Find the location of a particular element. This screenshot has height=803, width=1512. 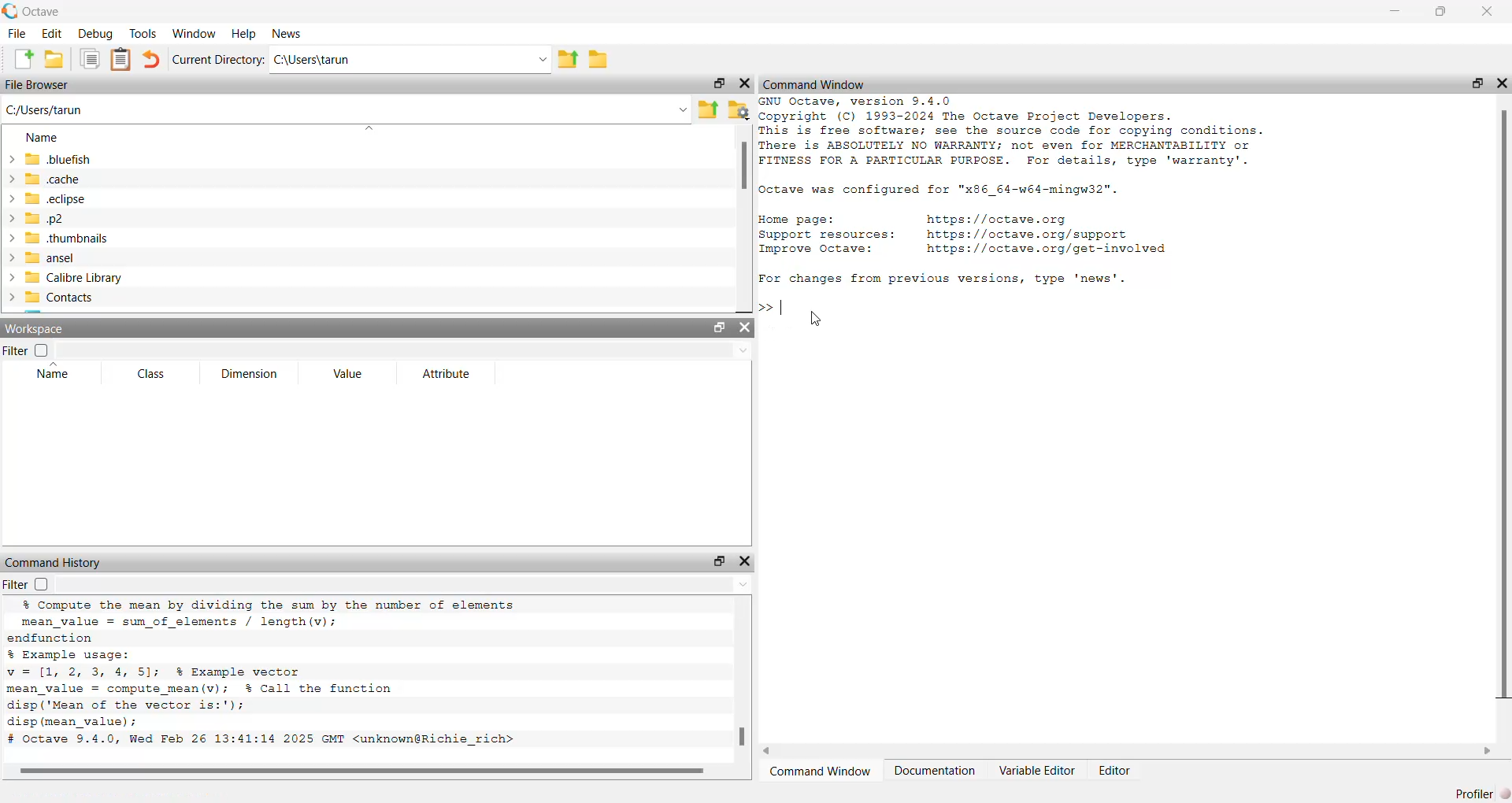

Class is located at coordinates (151, 373).